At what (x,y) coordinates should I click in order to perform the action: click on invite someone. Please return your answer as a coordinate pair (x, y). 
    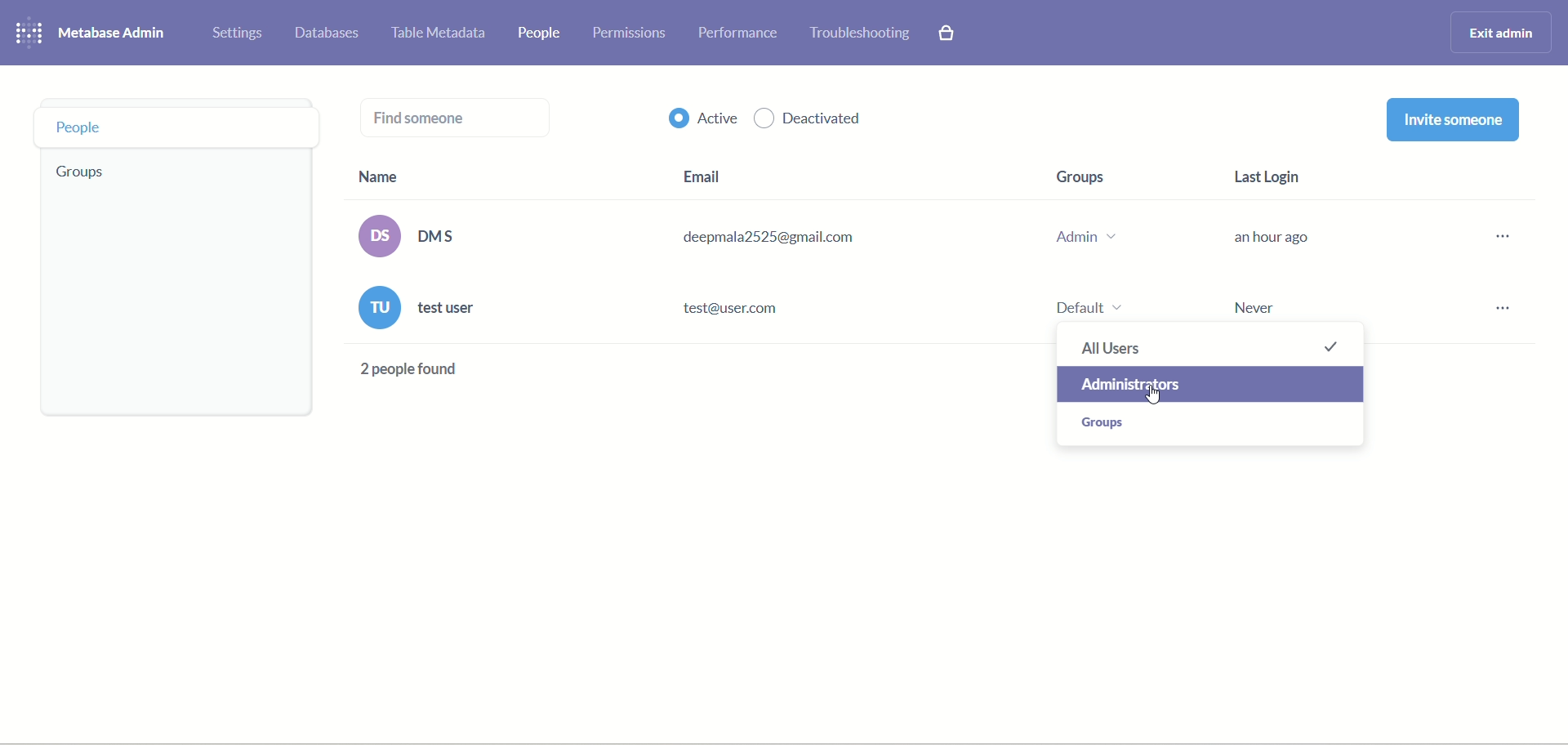
    Looking at the image, I should click on (1454, 119).